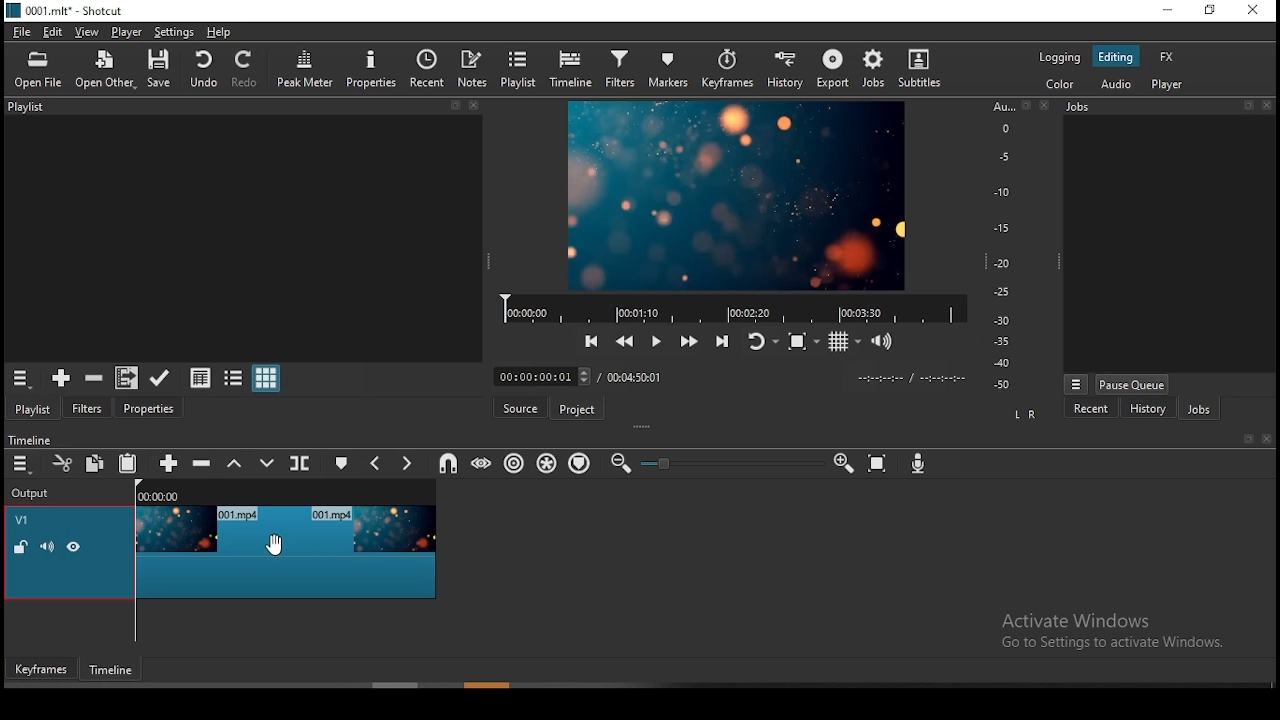  Describe the element at coordinates (270, 462) in the screenshot. I see `overwrite` at that location.